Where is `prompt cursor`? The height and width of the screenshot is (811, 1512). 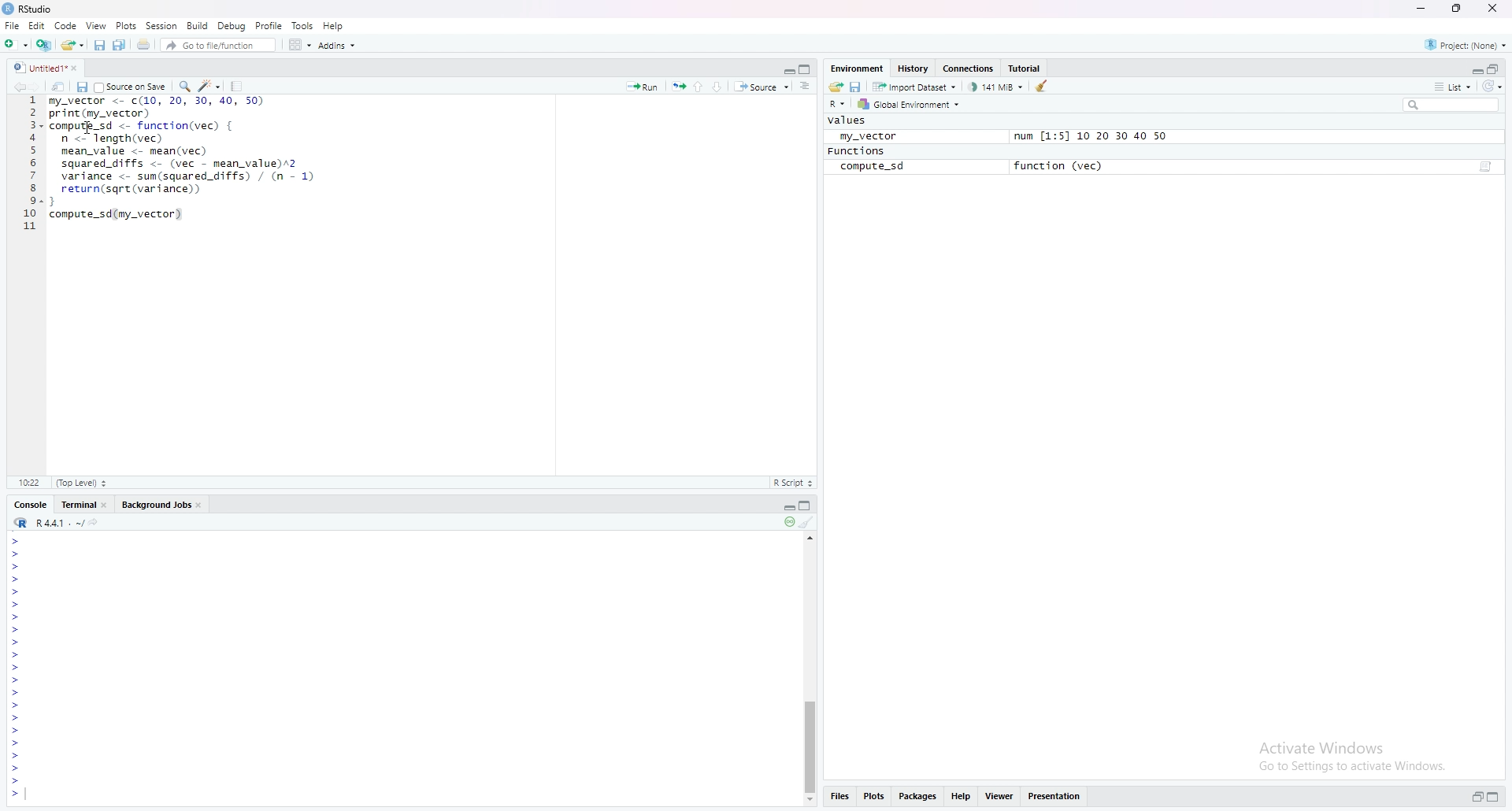
prompt cursor is located at coordinates (15, 629).